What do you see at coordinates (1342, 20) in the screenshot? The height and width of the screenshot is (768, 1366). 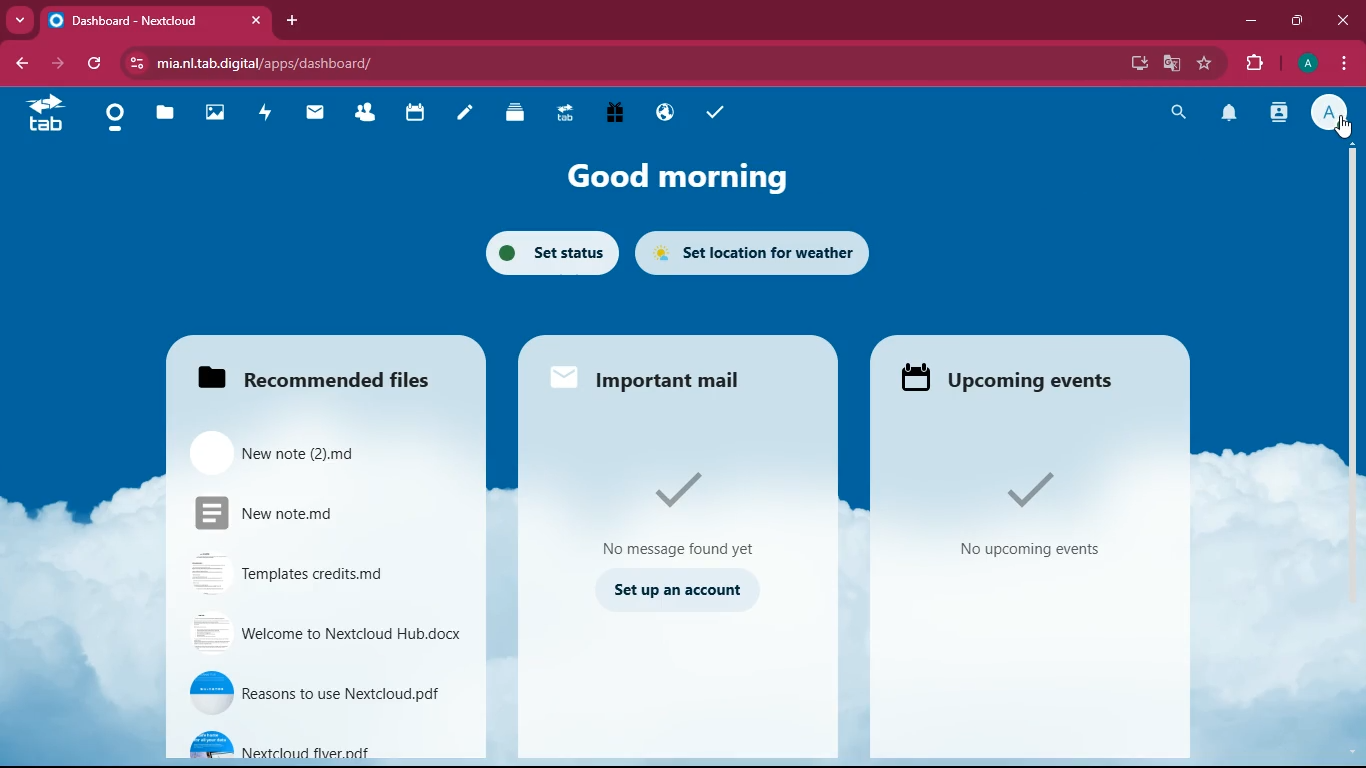 I see `close` at bounding box center [1342, 20].